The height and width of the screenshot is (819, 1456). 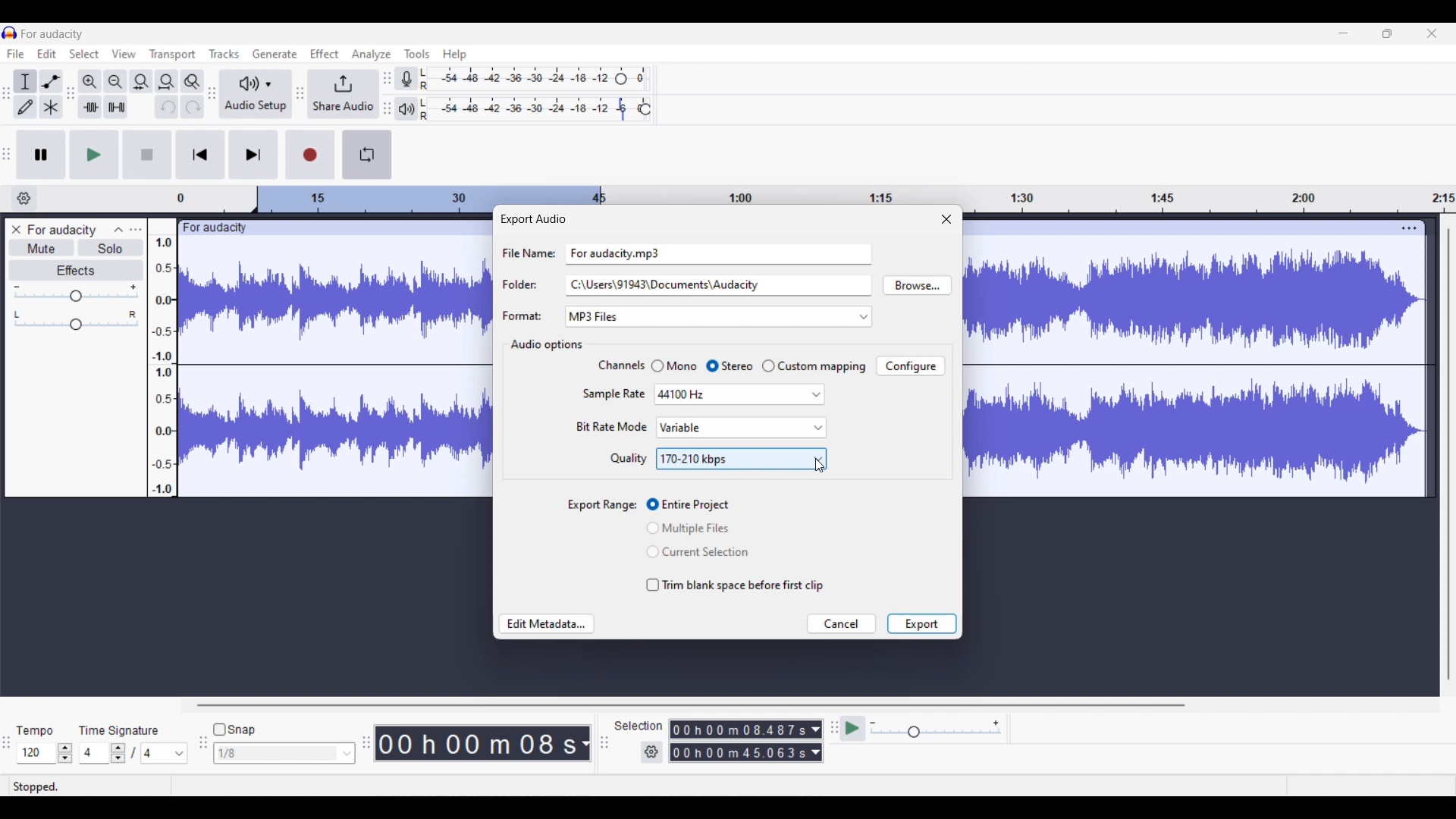 I want to click on Tempo settings, so click(x=34, y=731).